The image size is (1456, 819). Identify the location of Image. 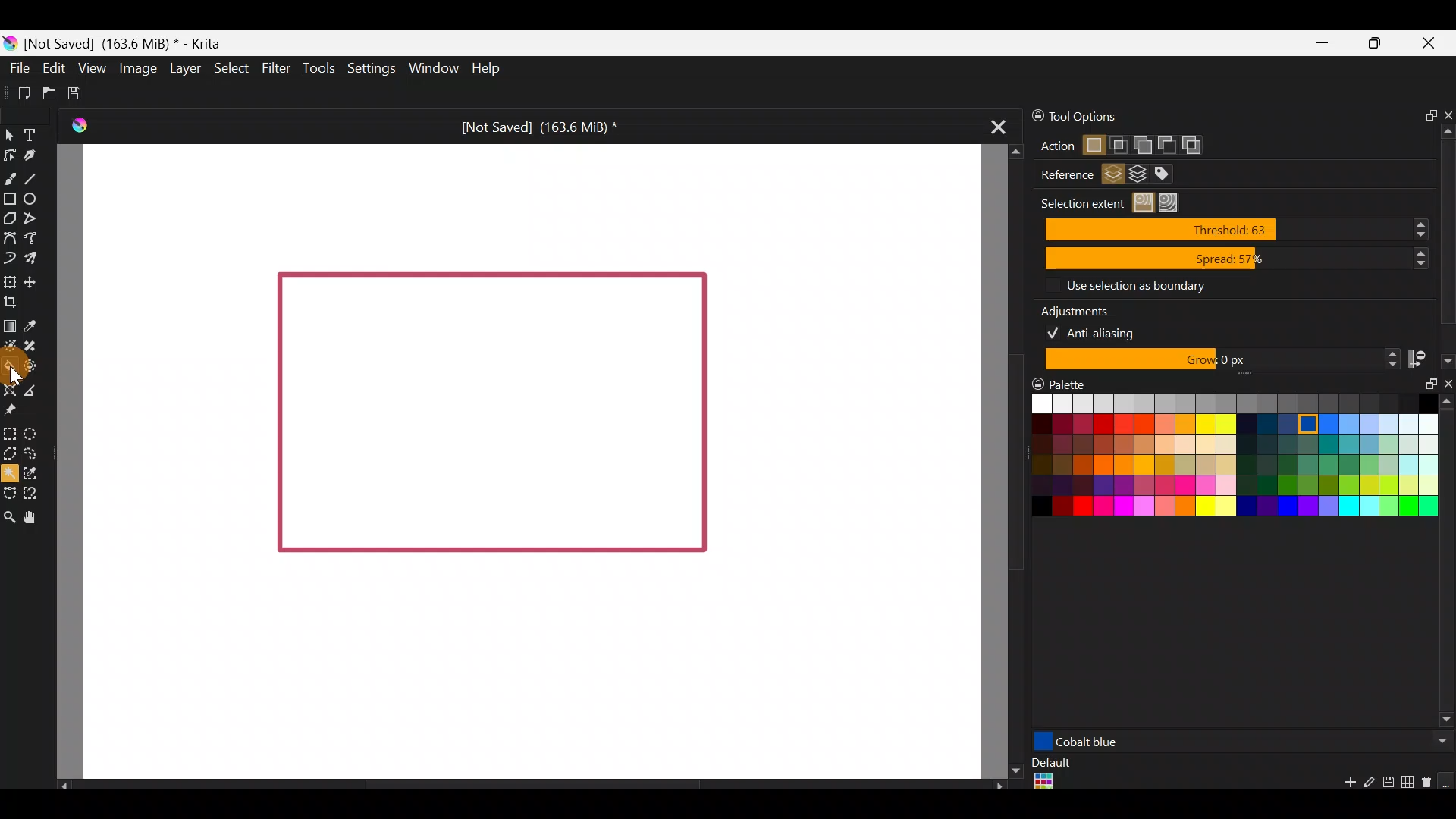
(138, 70).